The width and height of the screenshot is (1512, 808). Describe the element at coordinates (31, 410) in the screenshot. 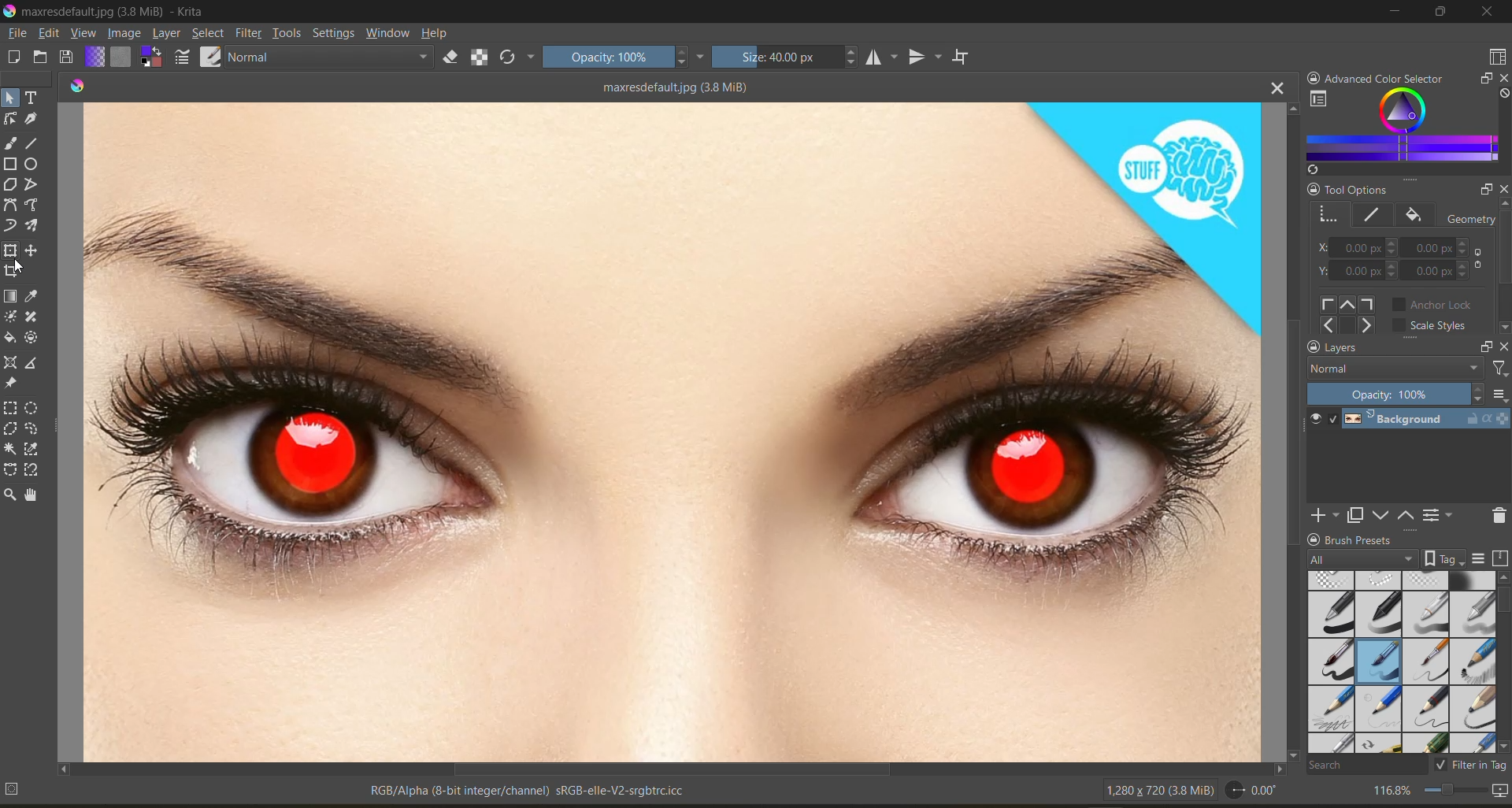

I see `tool` at that location.